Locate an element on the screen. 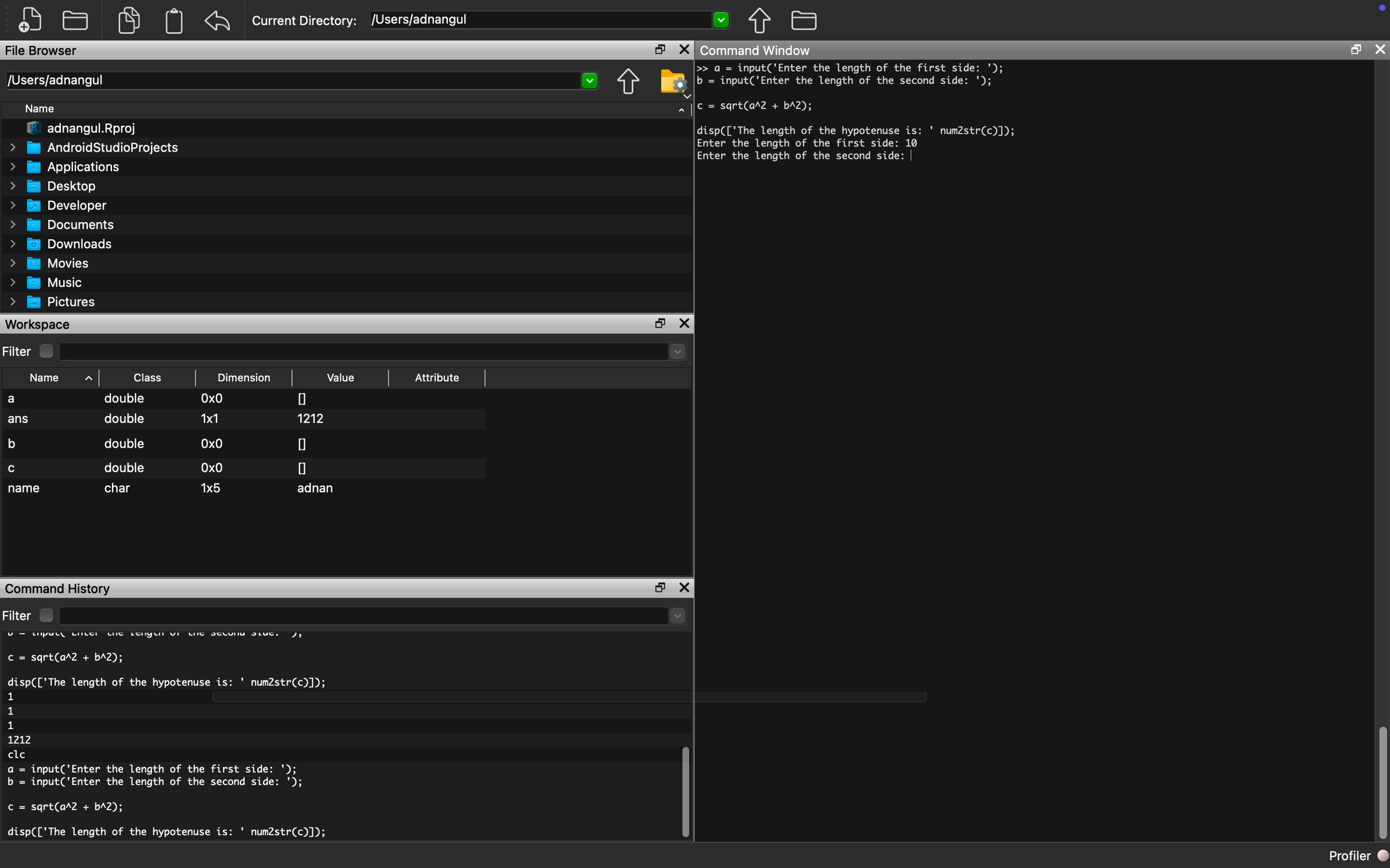 This screenshot has height=868, width=1390. 0 is located at coordinates (303, 467).